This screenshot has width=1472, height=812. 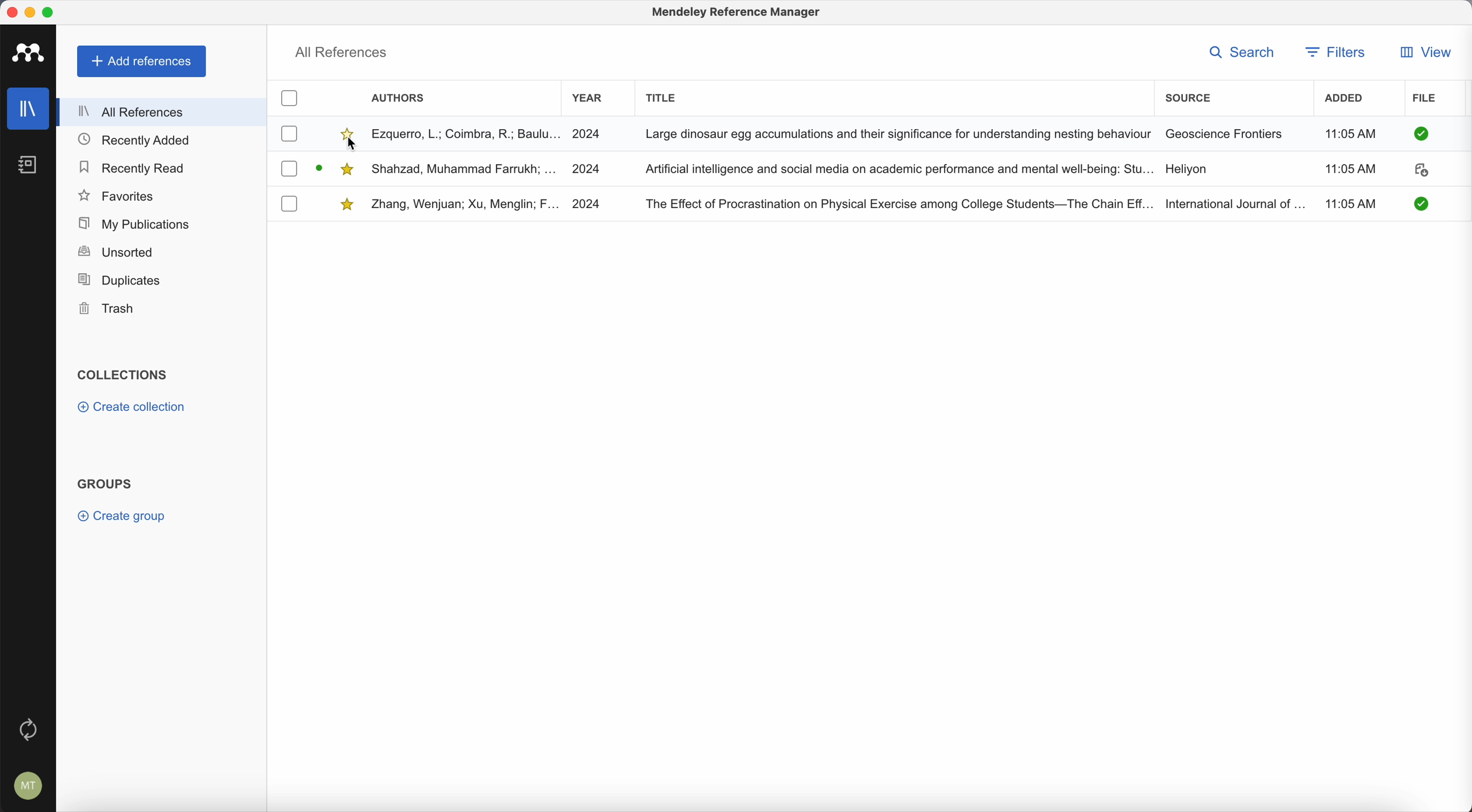 I want to click on create collection, so click(x=131, y=409).